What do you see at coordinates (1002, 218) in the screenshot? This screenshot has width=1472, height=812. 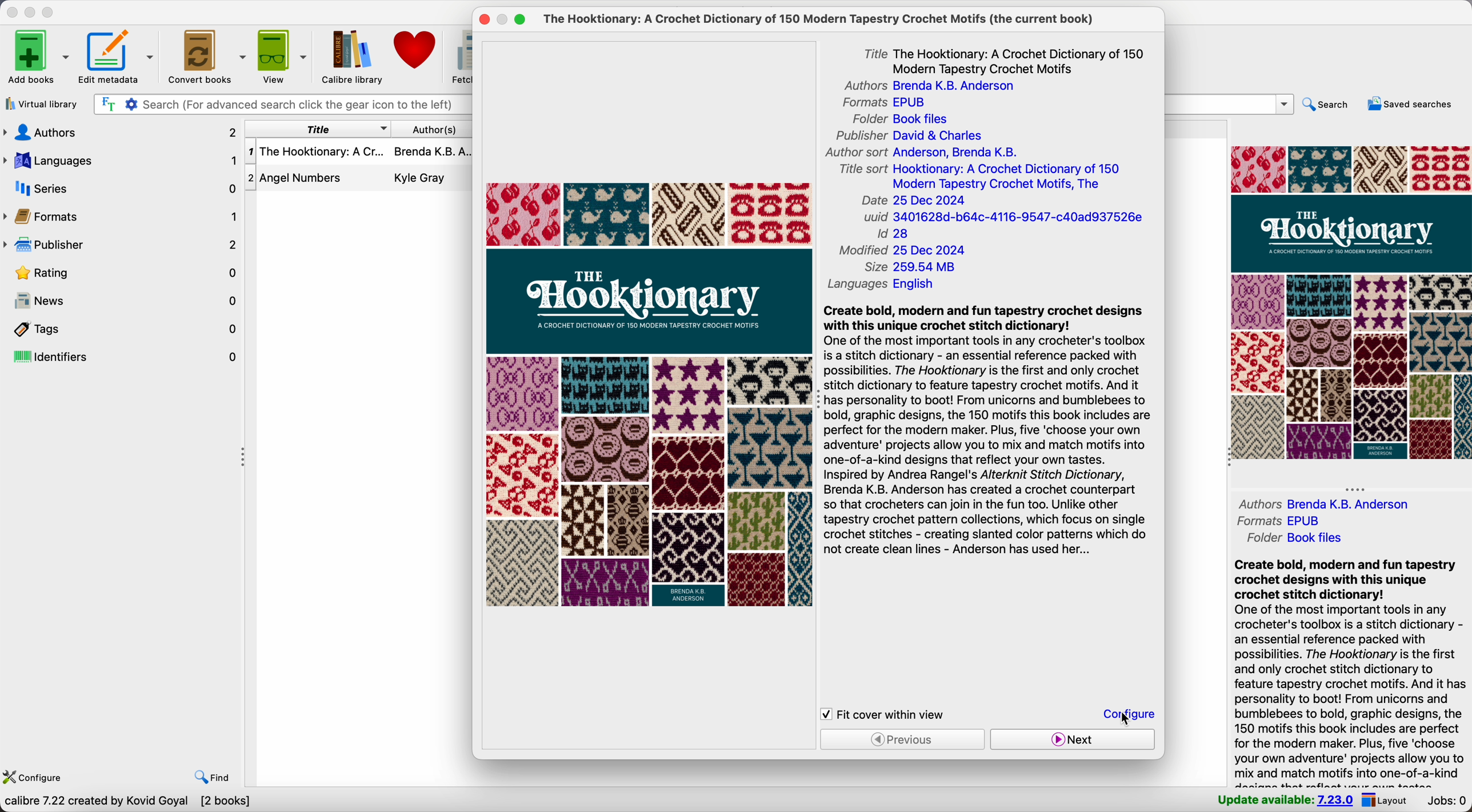 I see `uuid` at bounding box center [1002, 218].